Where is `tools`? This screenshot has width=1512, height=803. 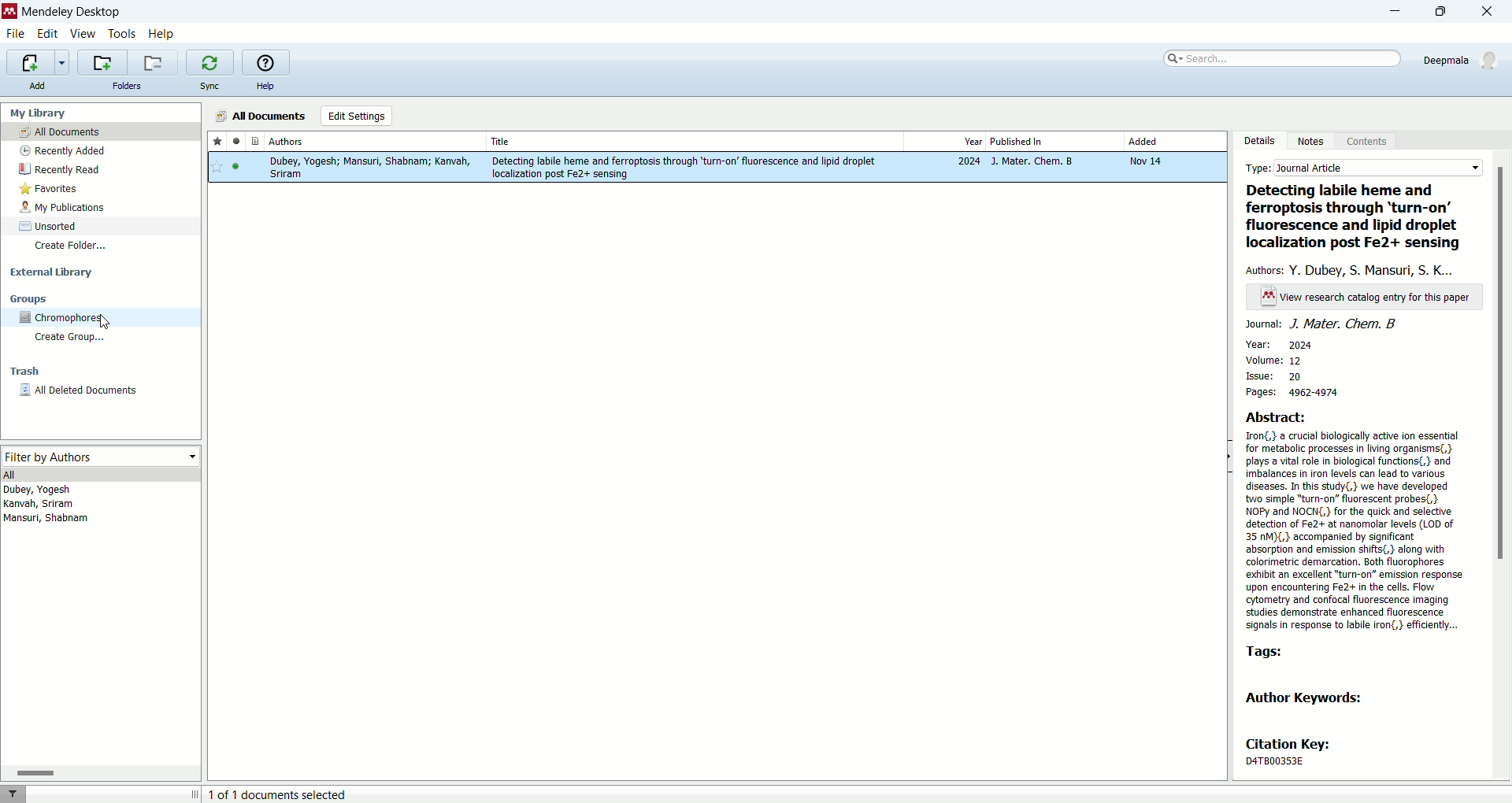
tools is located at coordinates (122, 33).